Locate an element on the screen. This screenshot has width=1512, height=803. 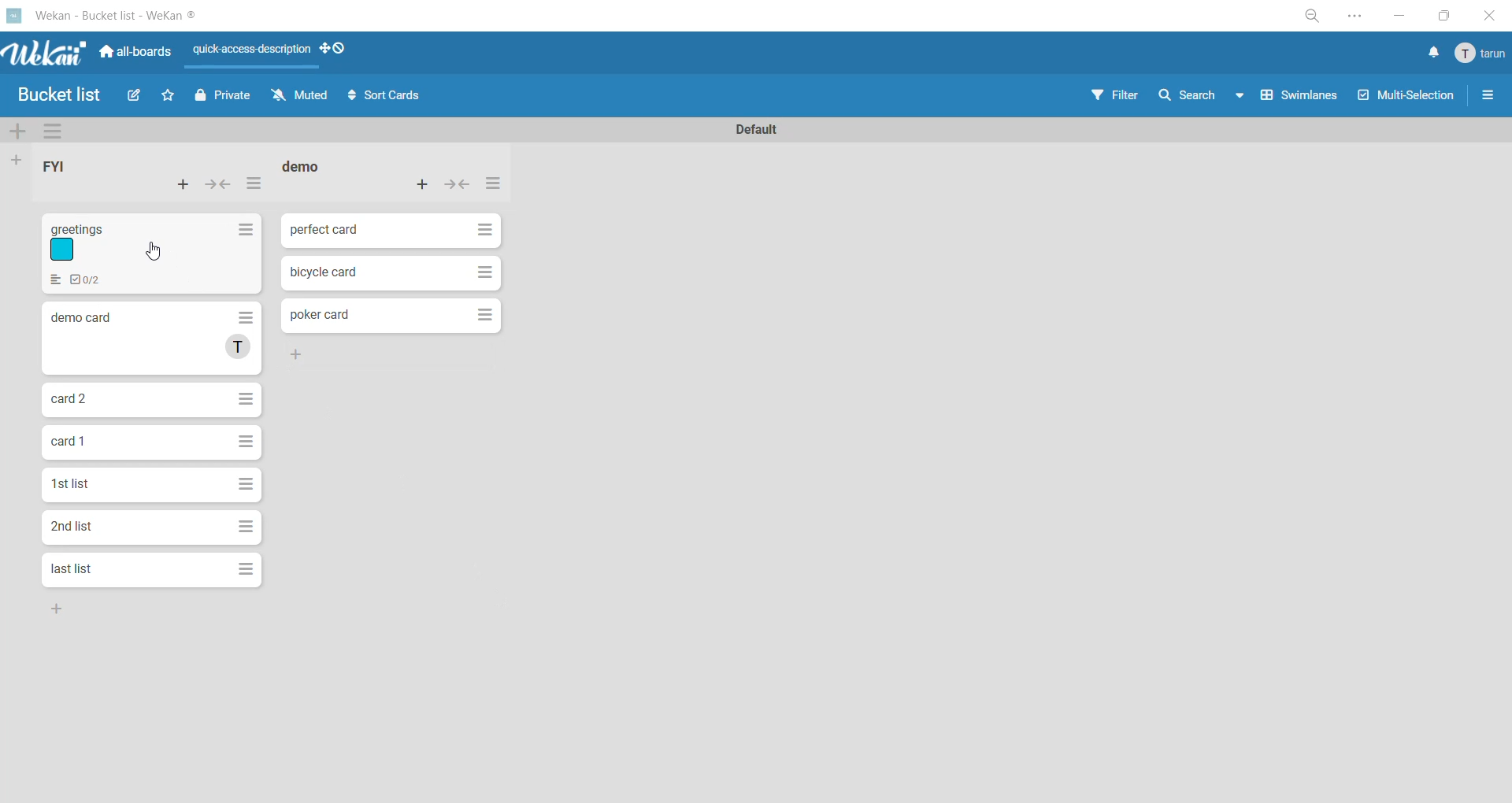
star is located at coordinates (170, 96).